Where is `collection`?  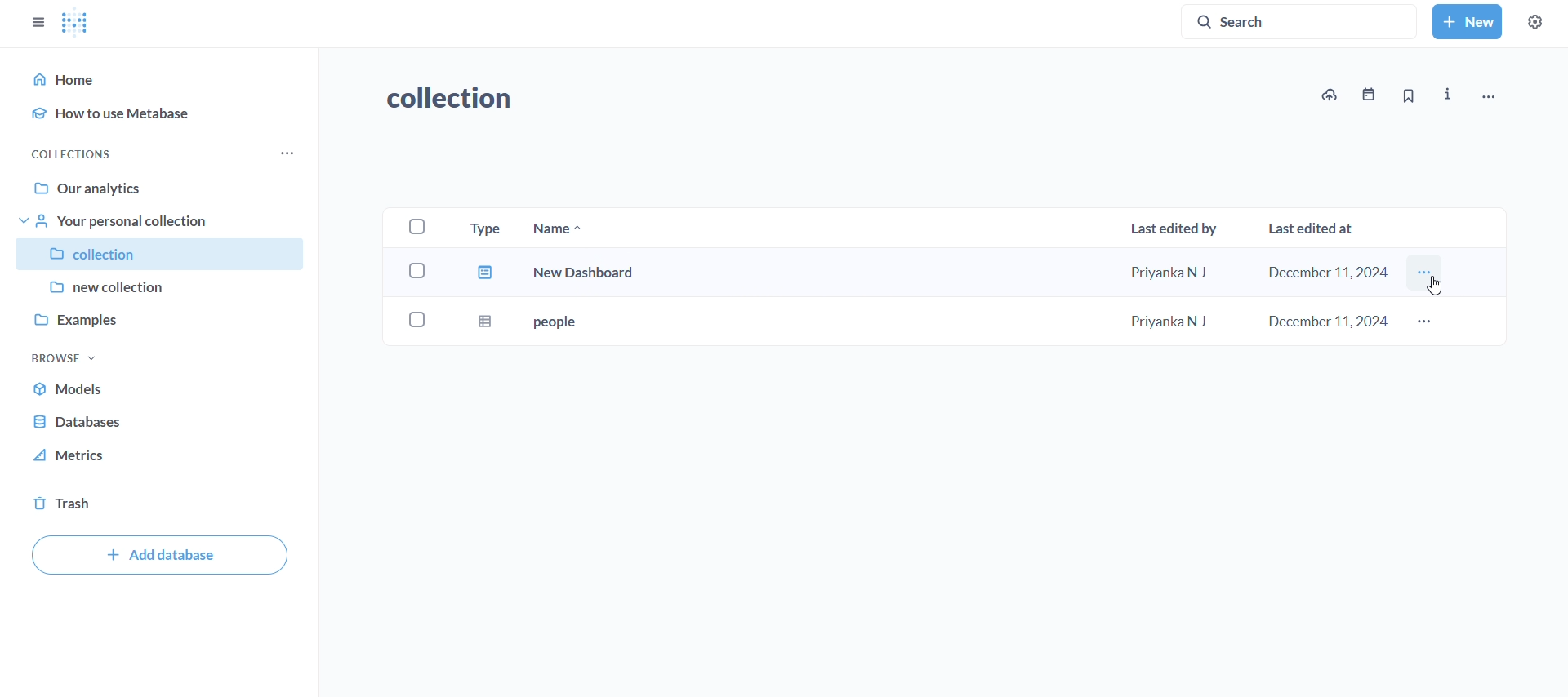
collection is located at coordinates (162, 254).